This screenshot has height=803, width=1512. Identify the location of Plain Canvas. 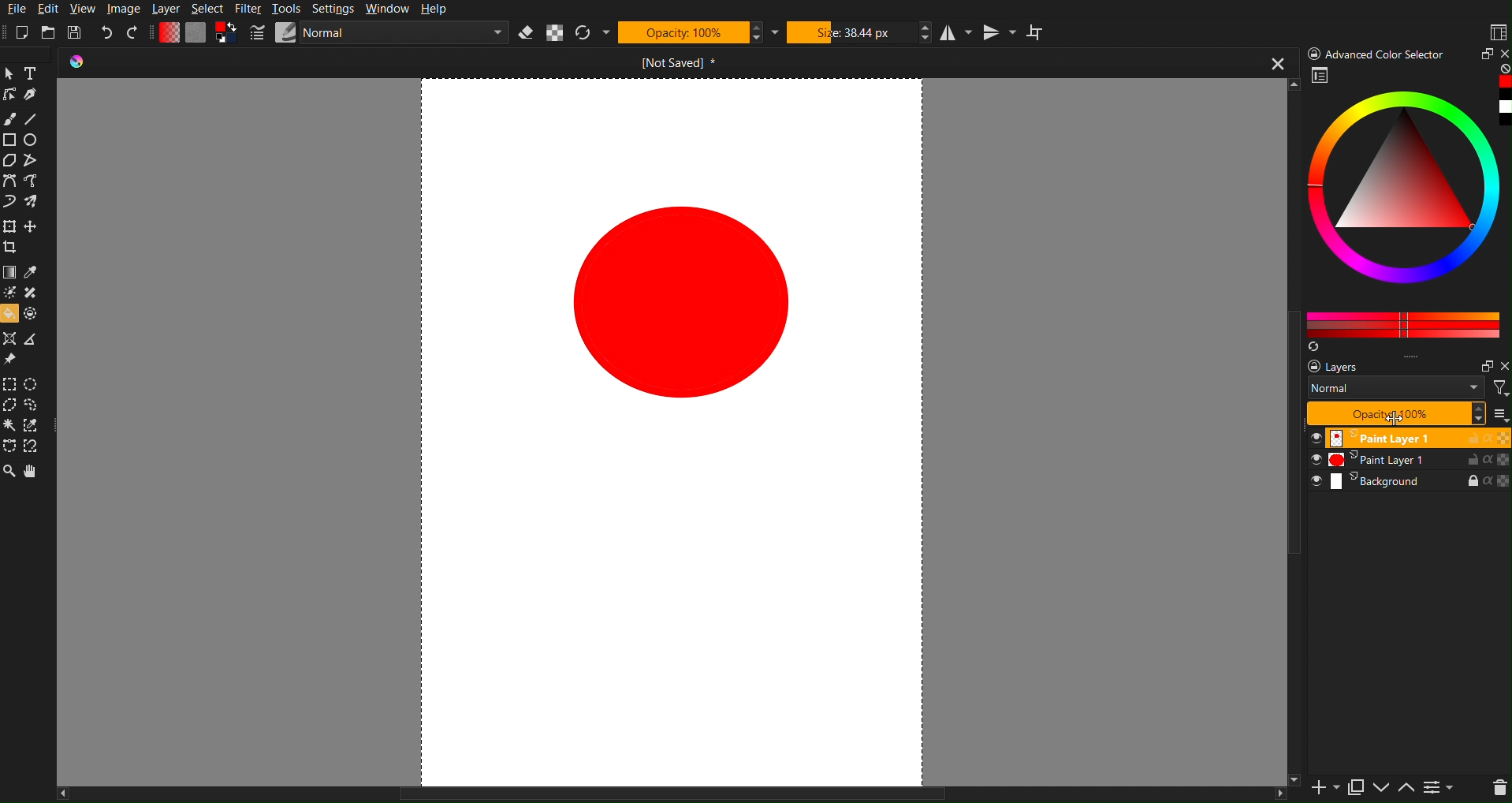
(196, 32).